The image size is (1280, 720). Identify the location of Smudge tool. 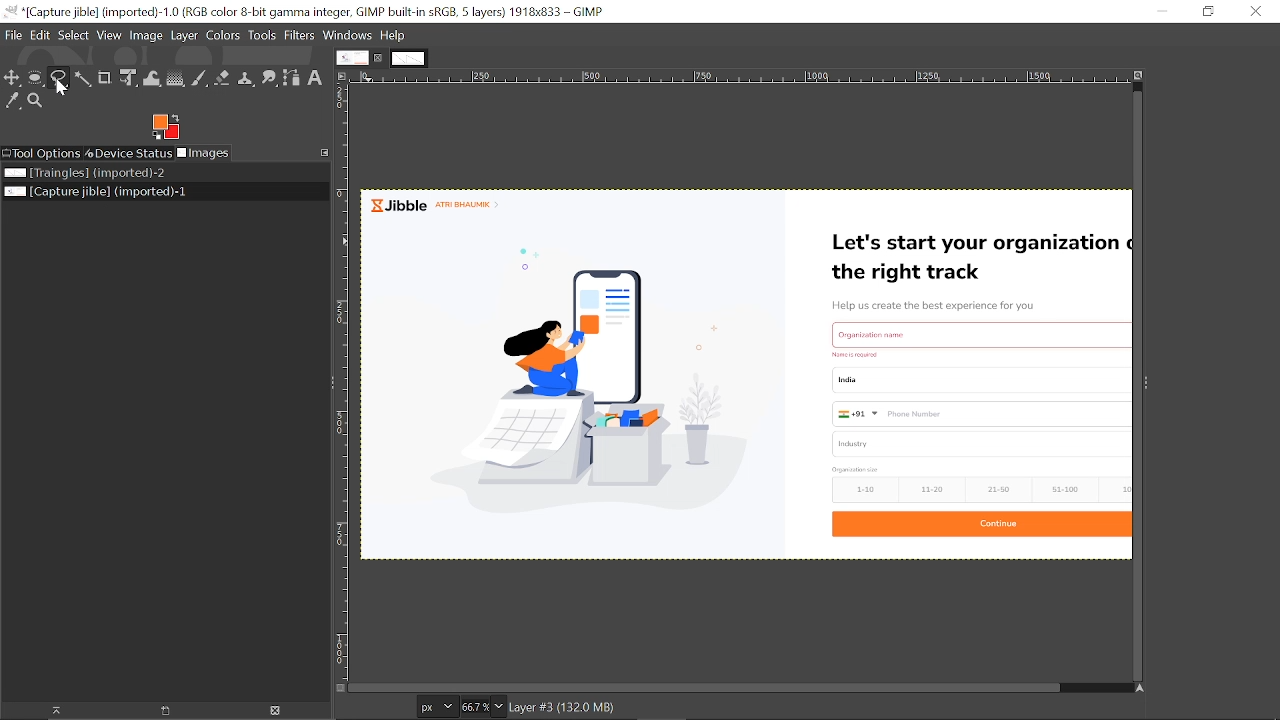
(269, 79).